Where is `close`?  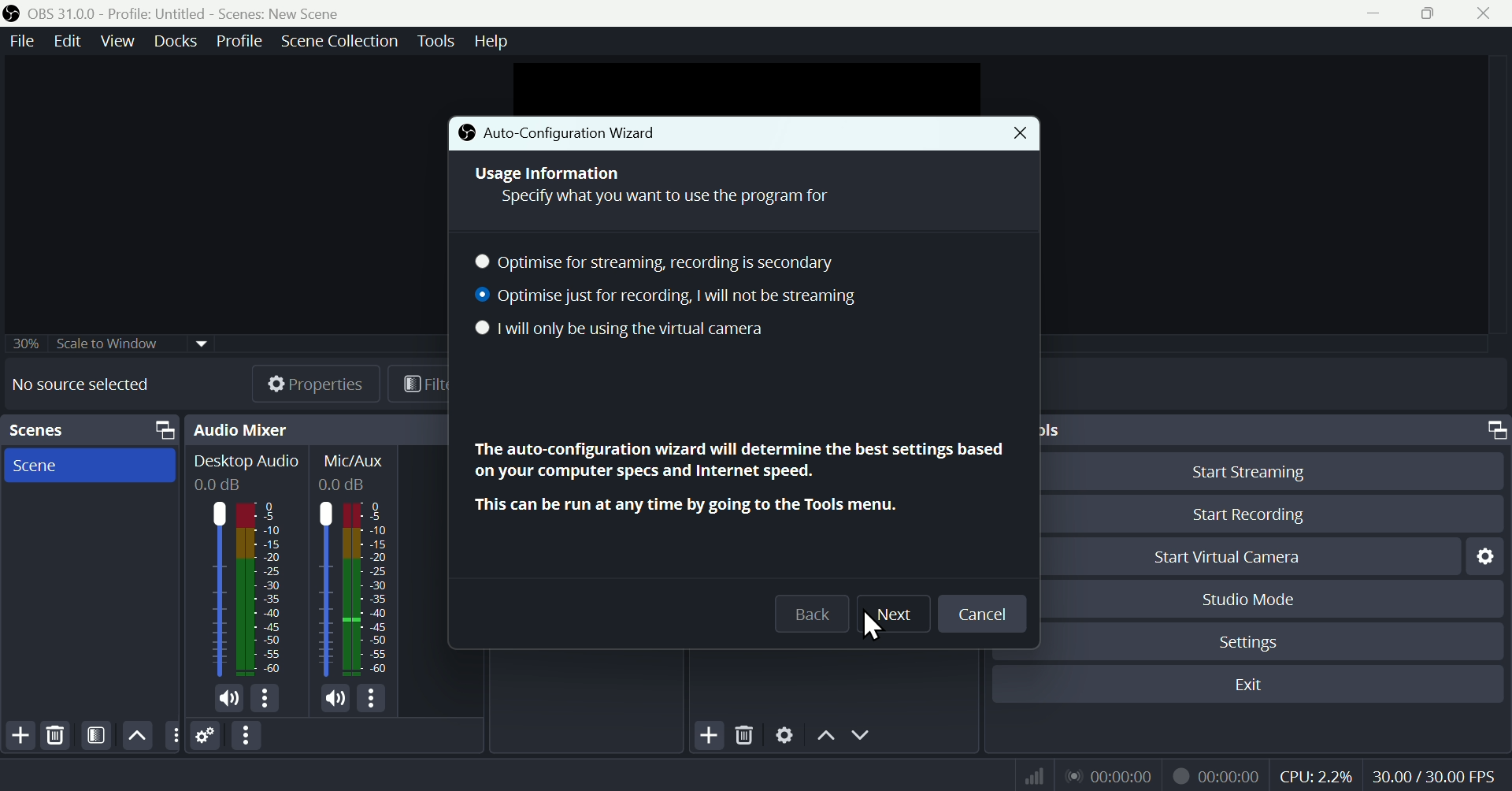
close is located at coordinates (1487, 13).